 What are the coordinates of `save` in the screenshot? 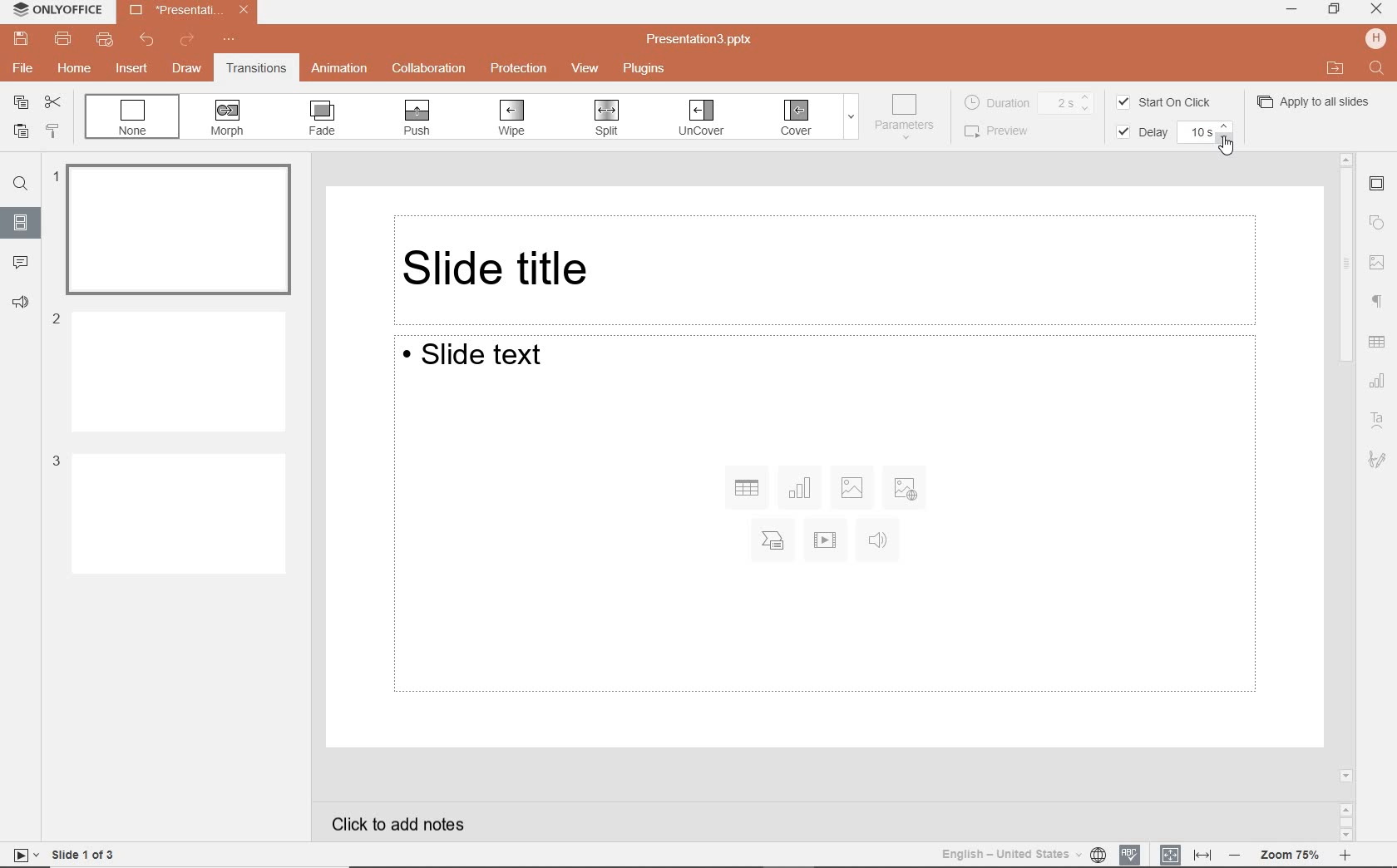 It's located at (20, 39).